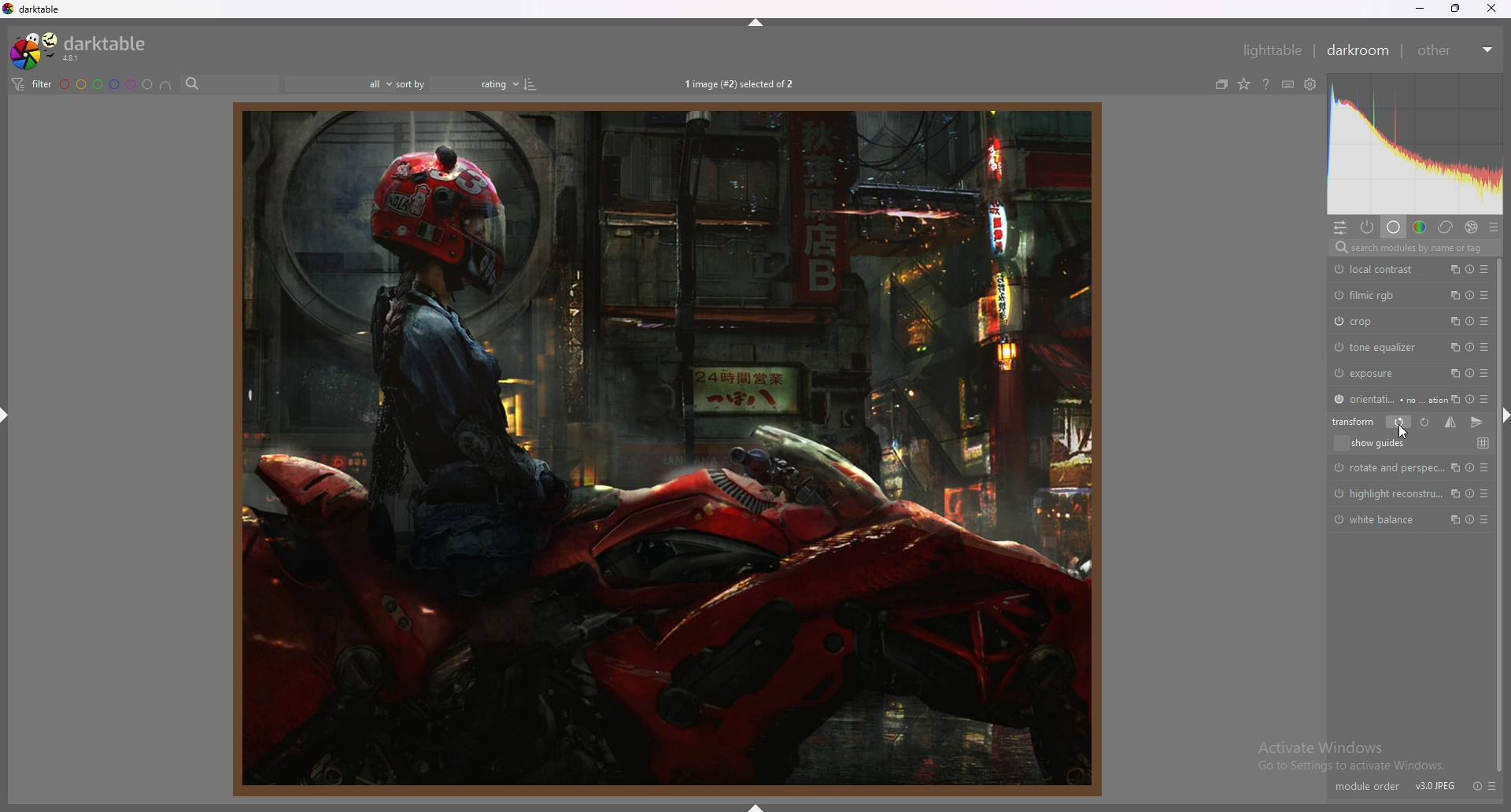 Image resolution: width=1511 pixels, height=812 pixels. What do you see at coordinates (1471, 322) in the screenshot?
I see `reset` at bounding box center [1471, 322].